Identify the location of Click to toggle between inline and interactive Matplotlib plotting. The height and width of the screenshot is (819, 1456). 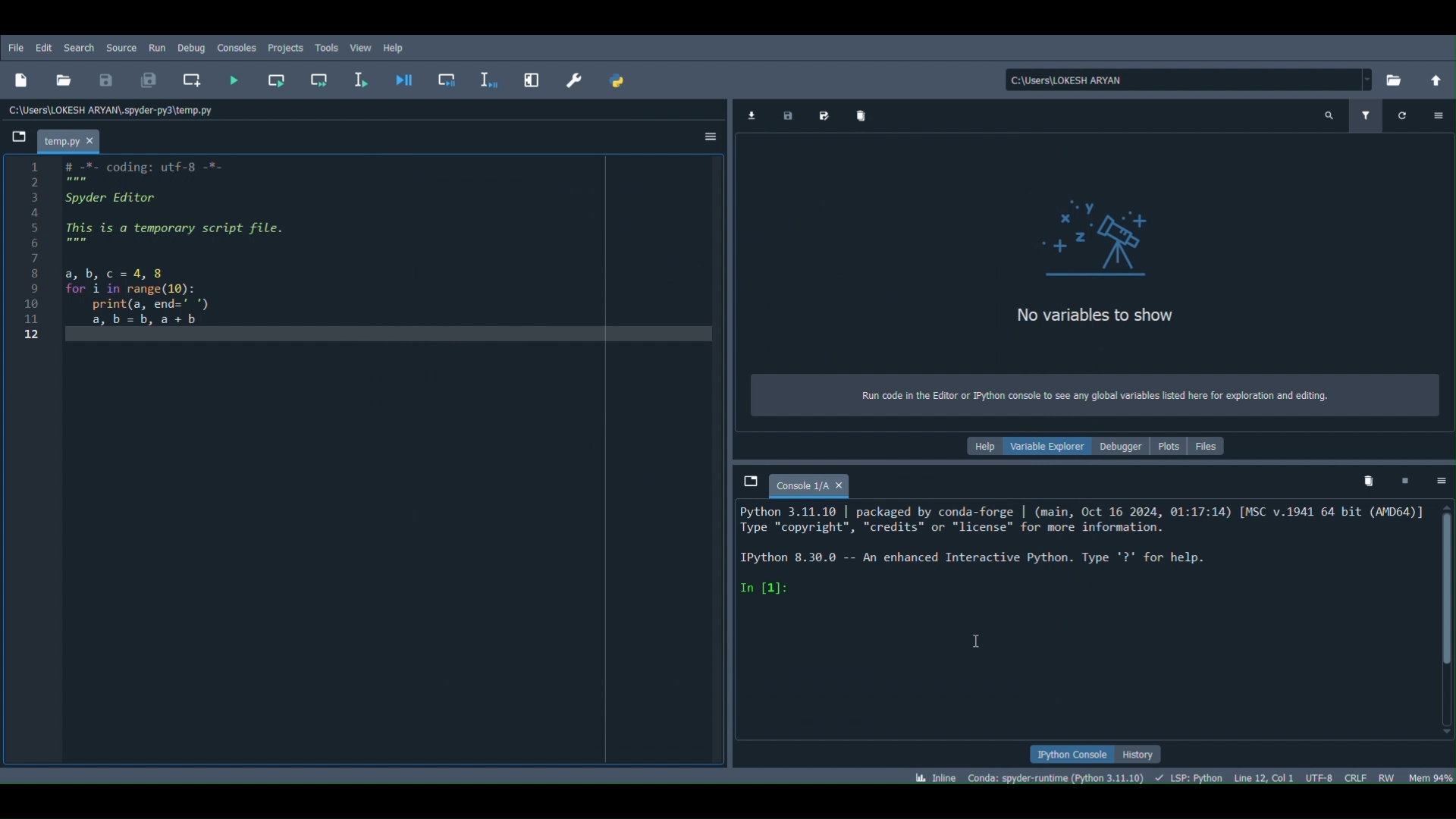
(938, 773).